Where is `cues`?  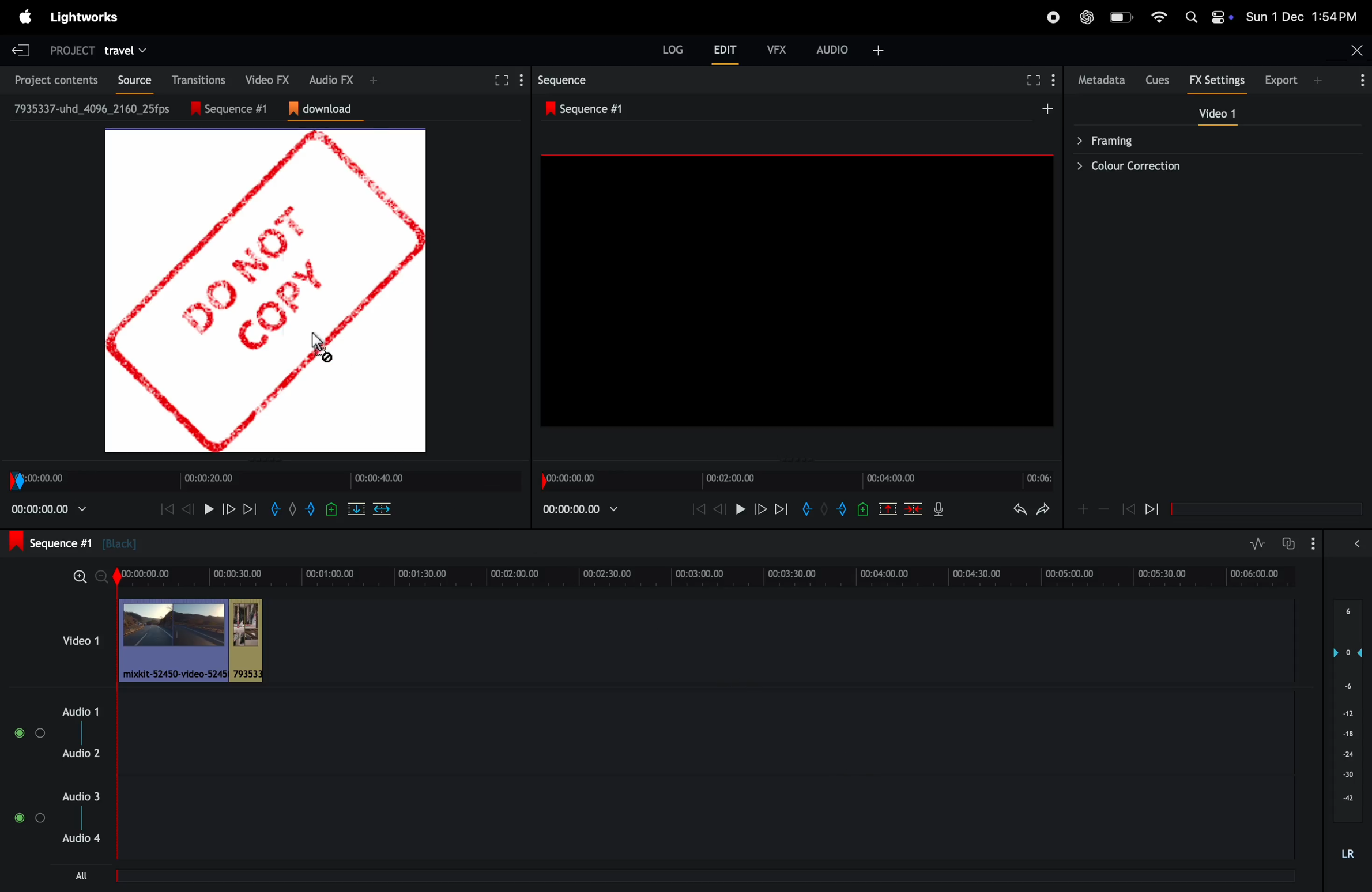 cues is located at coordinates (1159, 80).